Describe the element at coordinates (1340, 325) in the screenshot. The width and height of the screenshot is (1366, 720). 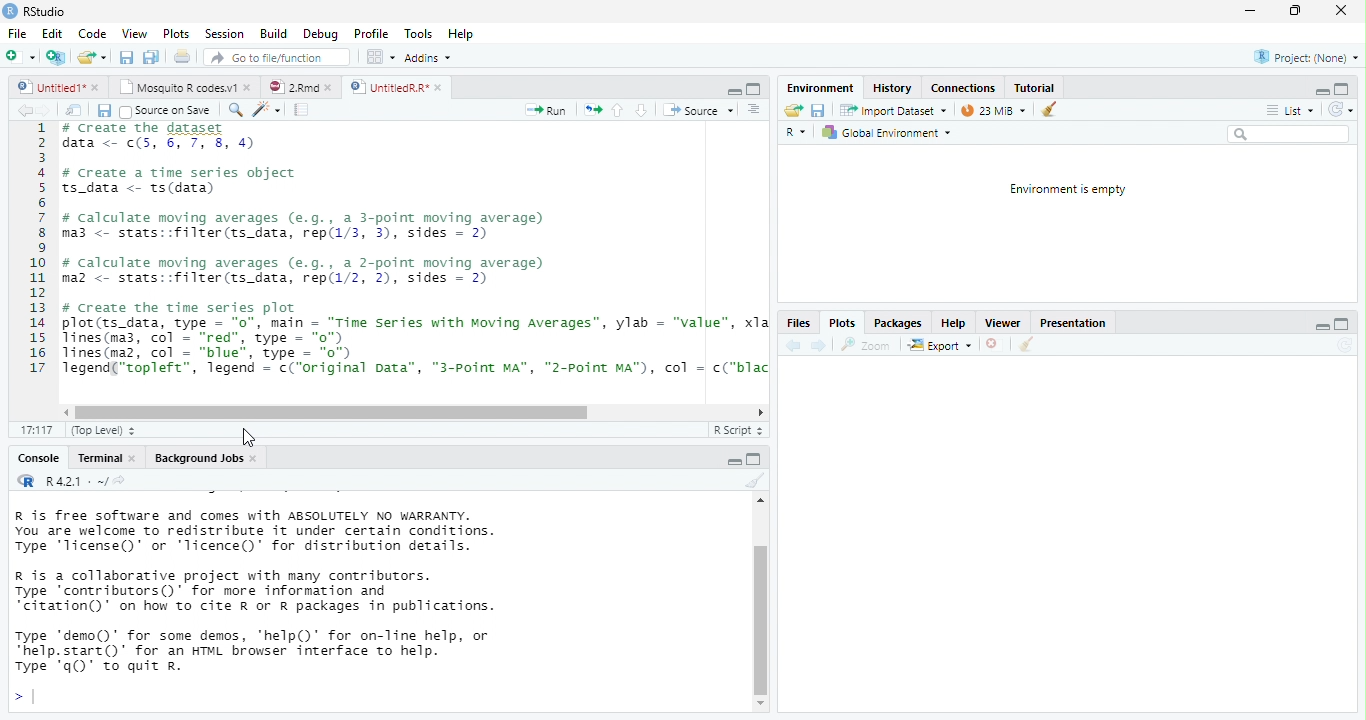
I see `maximize` at that location.